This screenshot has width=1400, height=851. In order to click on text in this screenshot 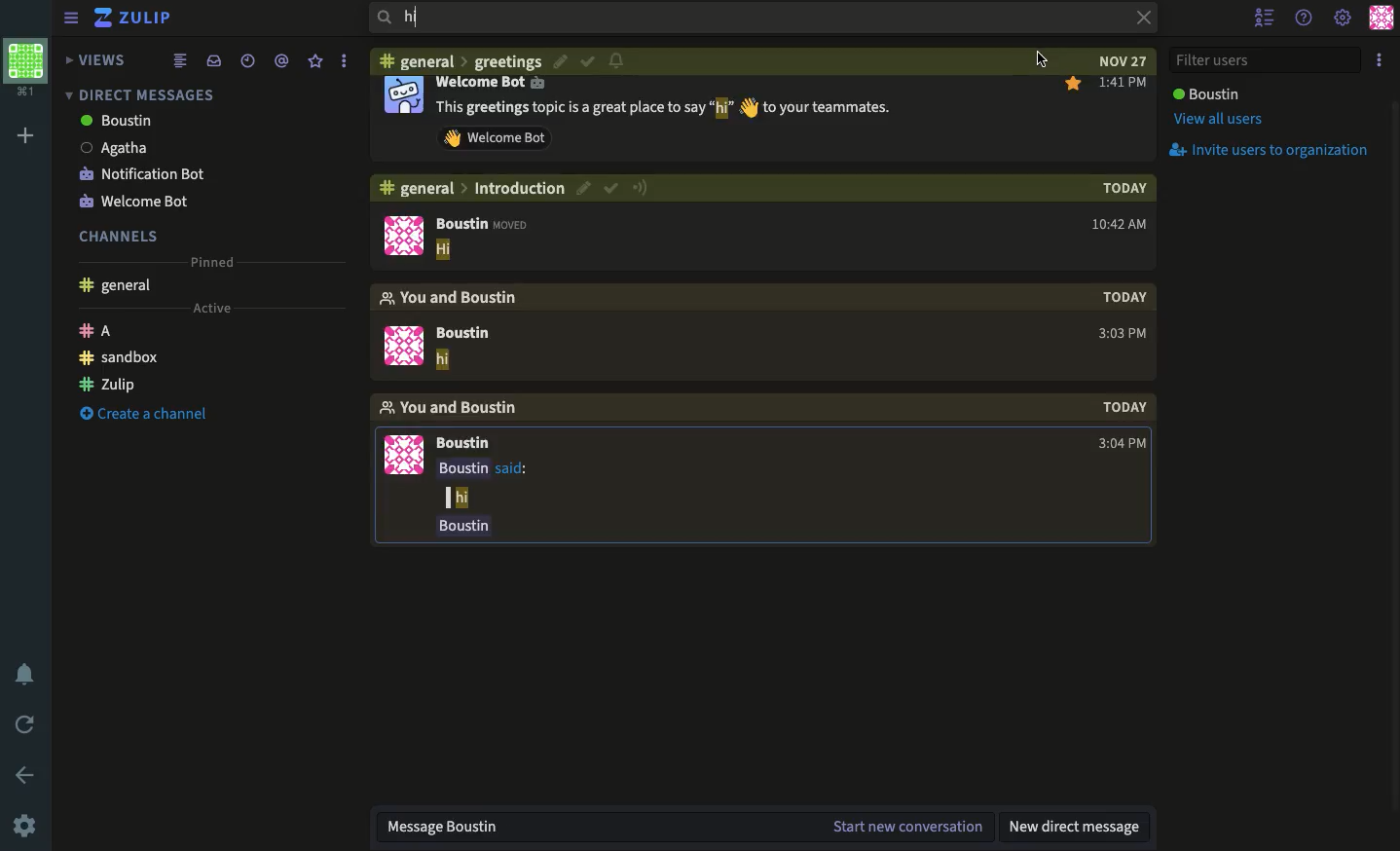, I will do `click(486, 498)`.